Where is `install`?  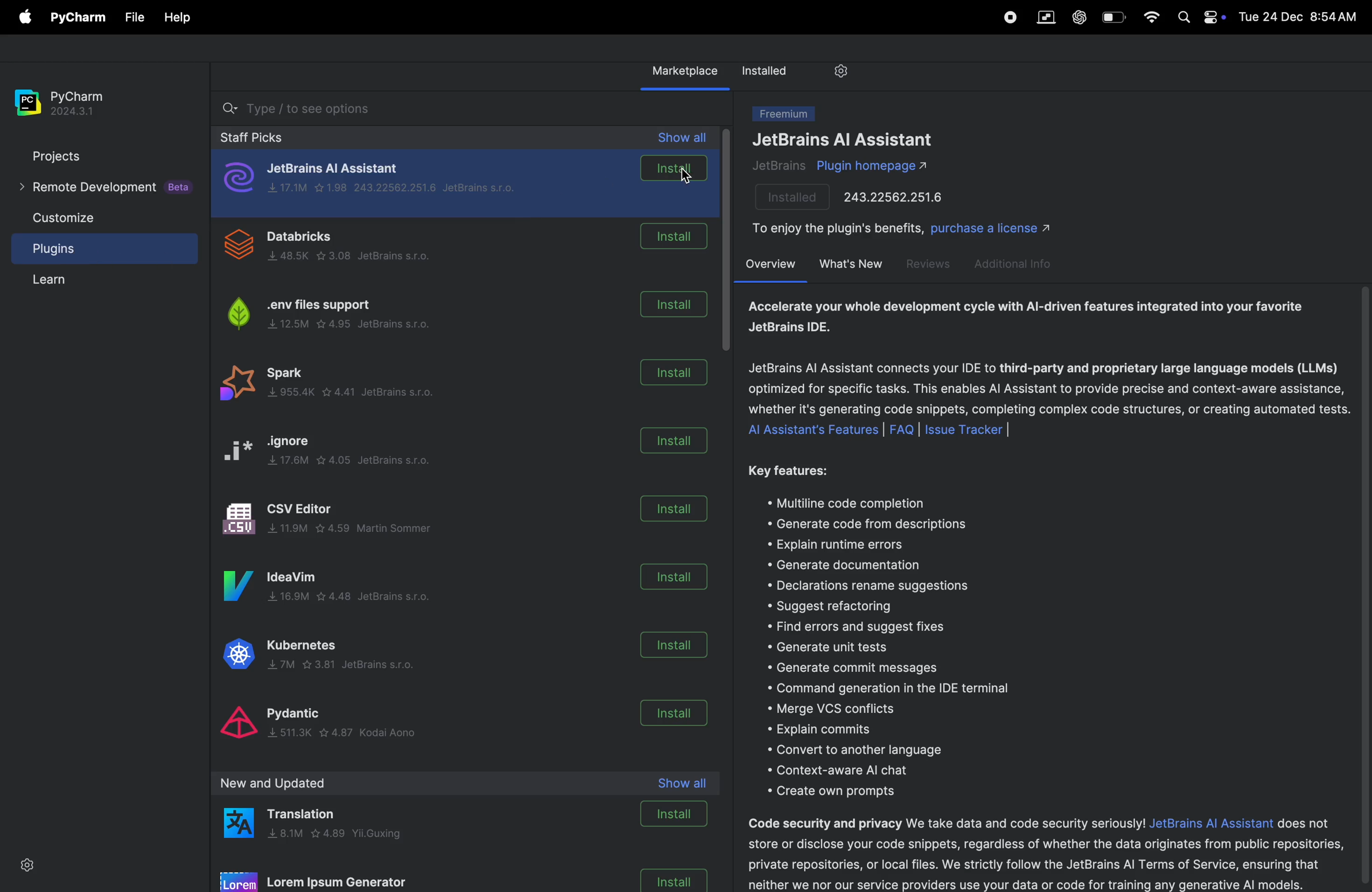 install is located at coordinates (678, 814).